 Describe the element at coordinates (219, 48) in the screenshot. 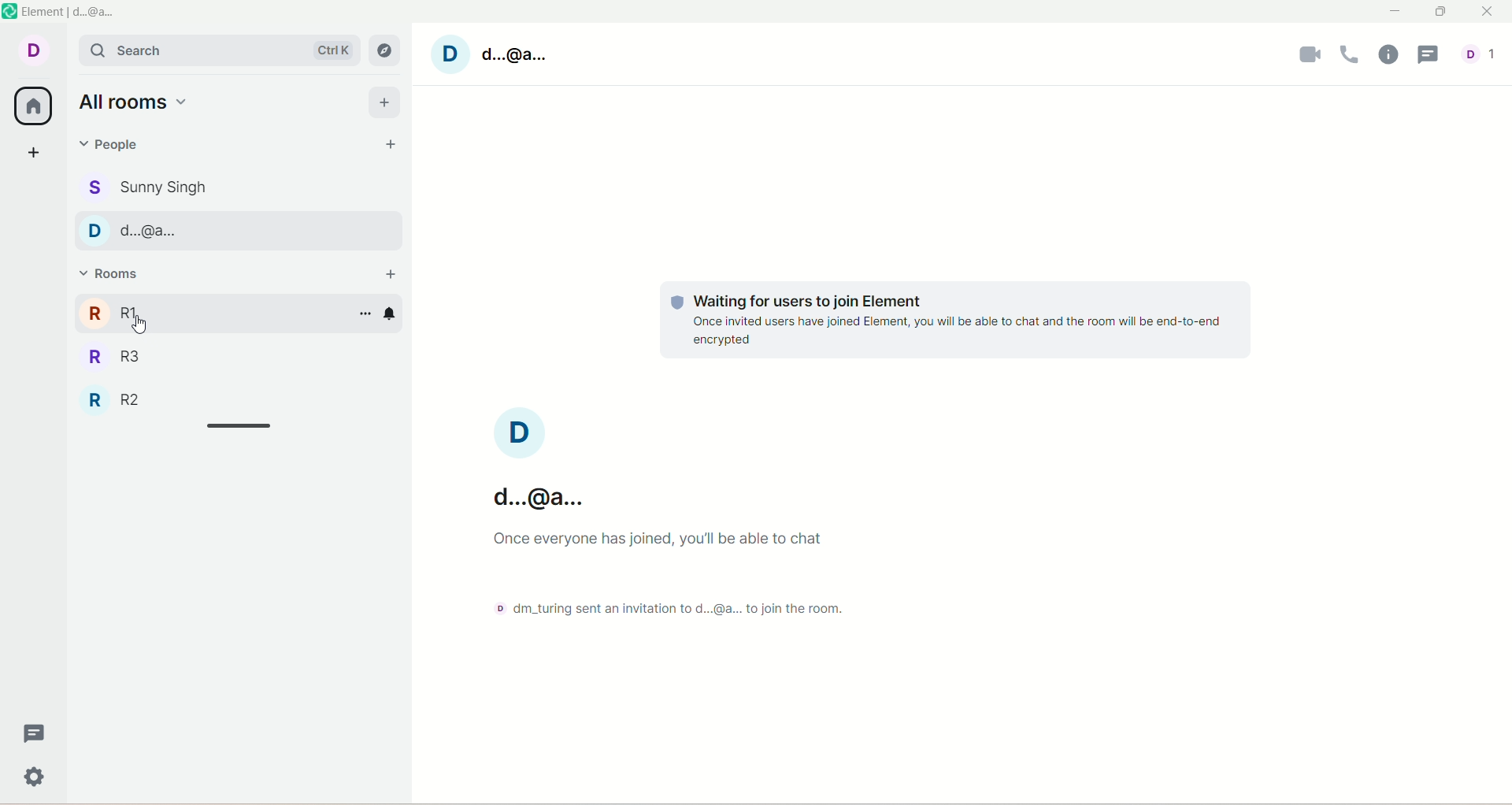

I see `search` at that location.